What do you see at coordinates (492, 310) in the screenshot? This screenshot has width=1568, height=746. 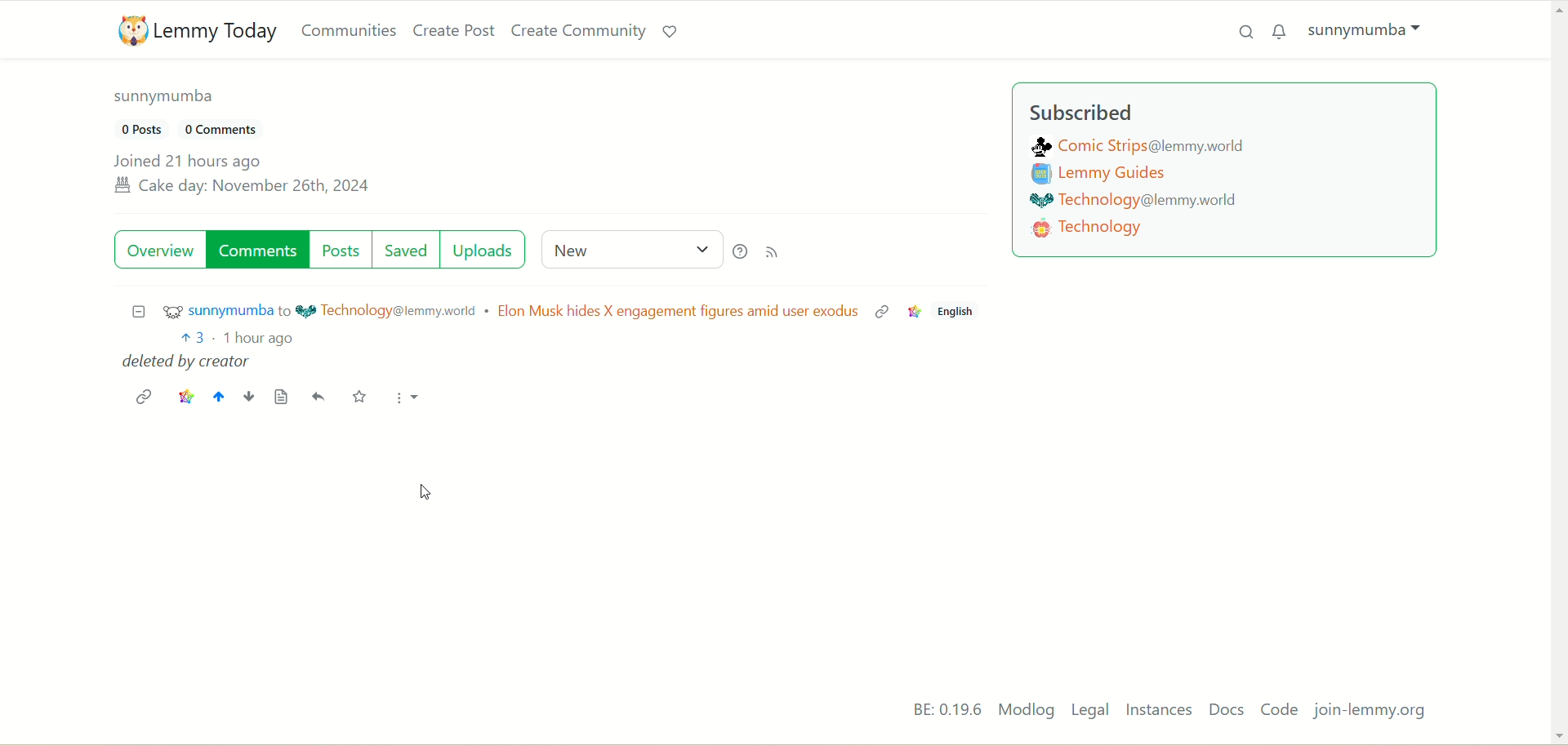 I see `Username and community details of the post` at bounding box center [492, 310].